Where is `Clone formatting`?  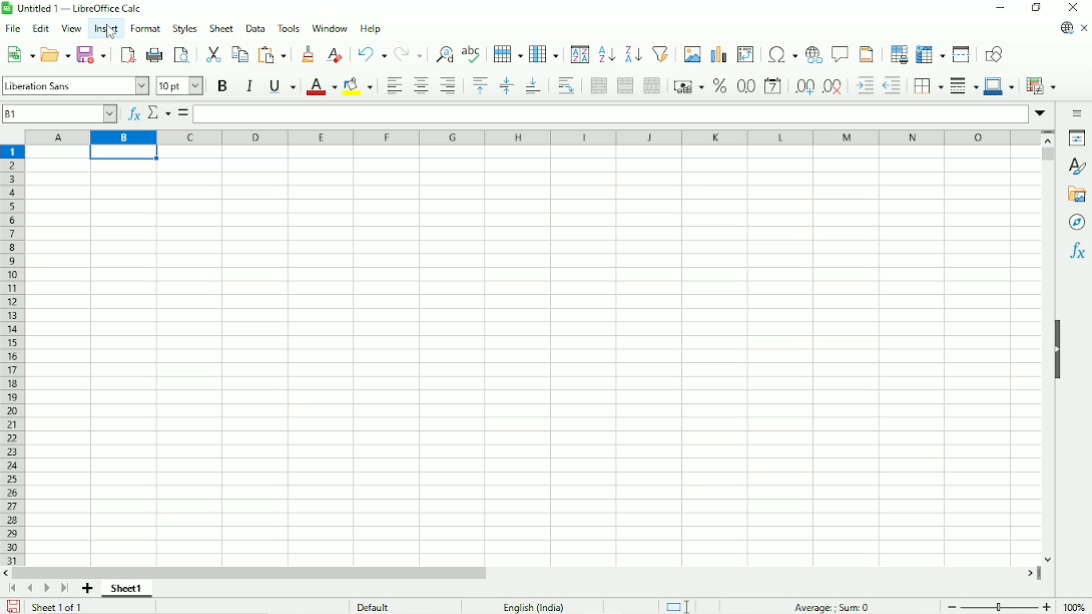 Clone formatting is located at coordinates (306, 53).